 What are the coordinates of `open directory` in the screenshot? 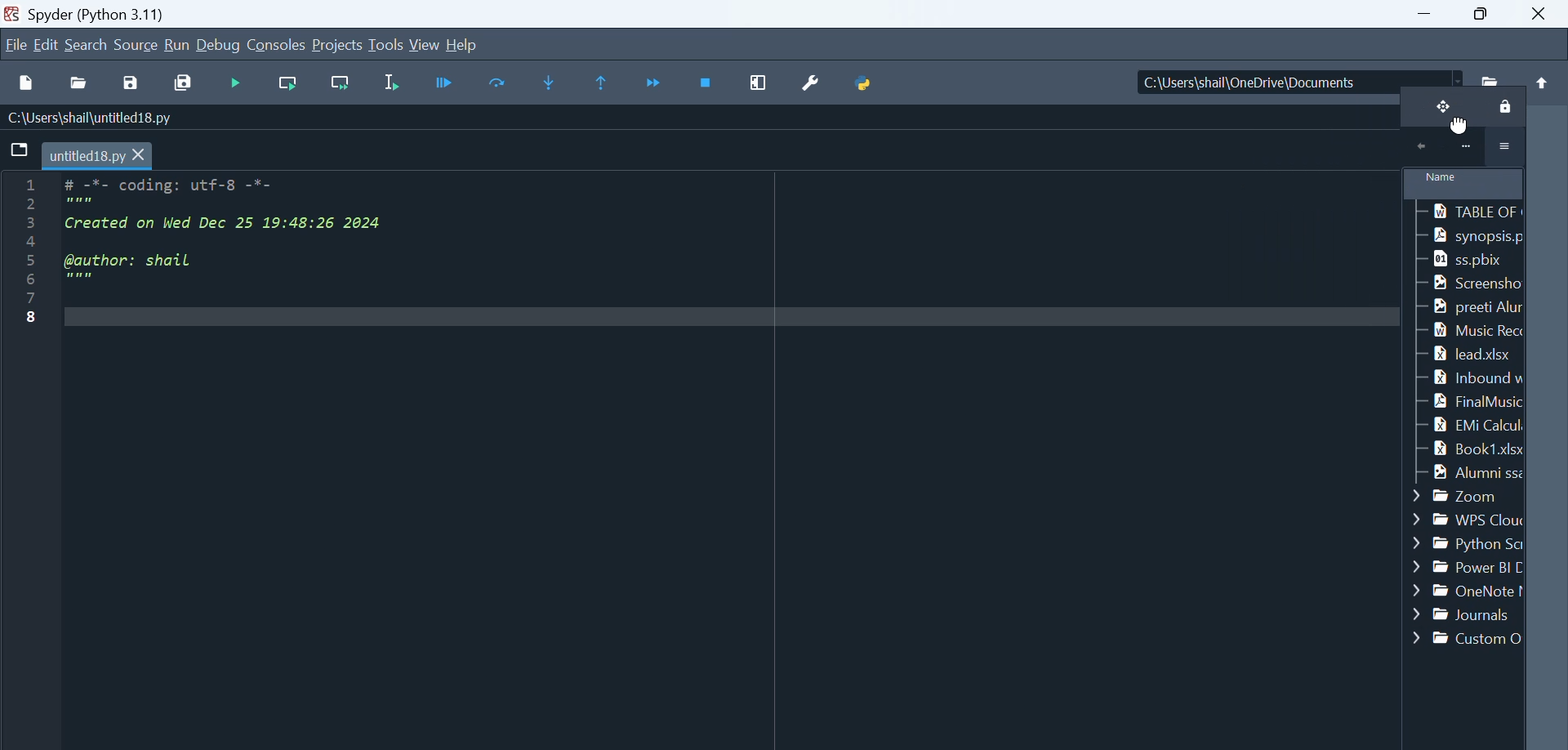 It's located at (1490, 77).